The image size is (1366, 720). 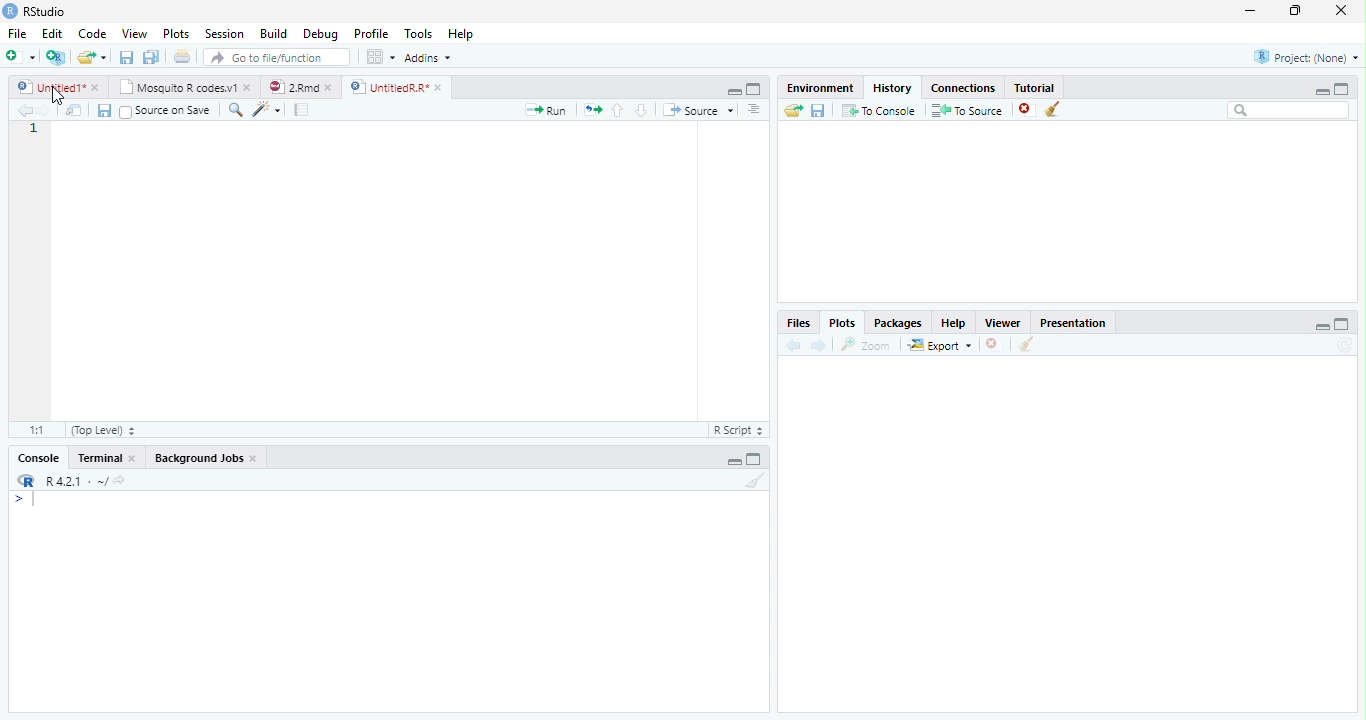 What do you see at coordinates (753, 461) in the screenshot?
I see `Maximize` at bounding box center [753, 461].